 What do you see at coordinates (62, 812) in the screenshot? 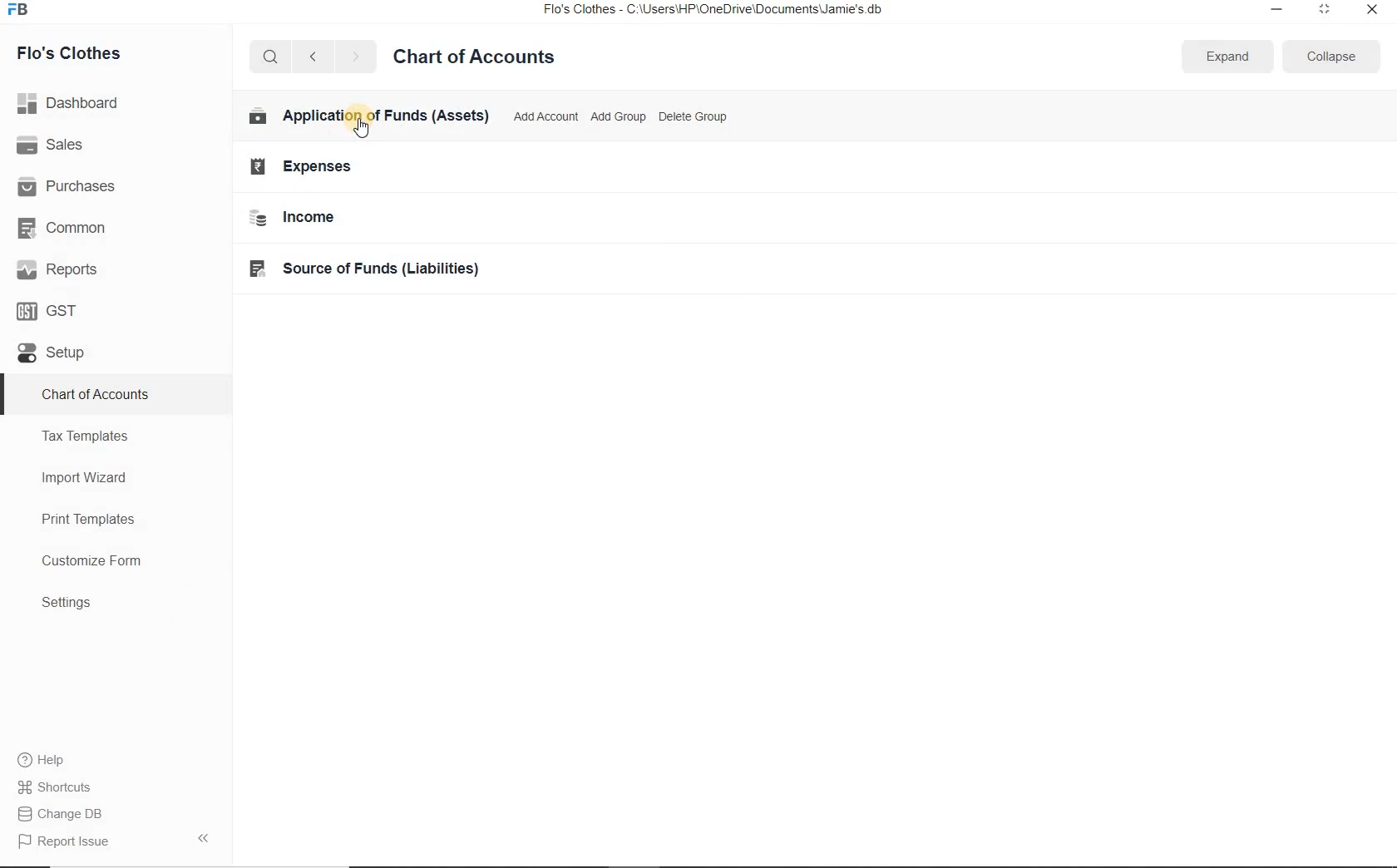
I see `Change DB` at bounding box center [62, 812].